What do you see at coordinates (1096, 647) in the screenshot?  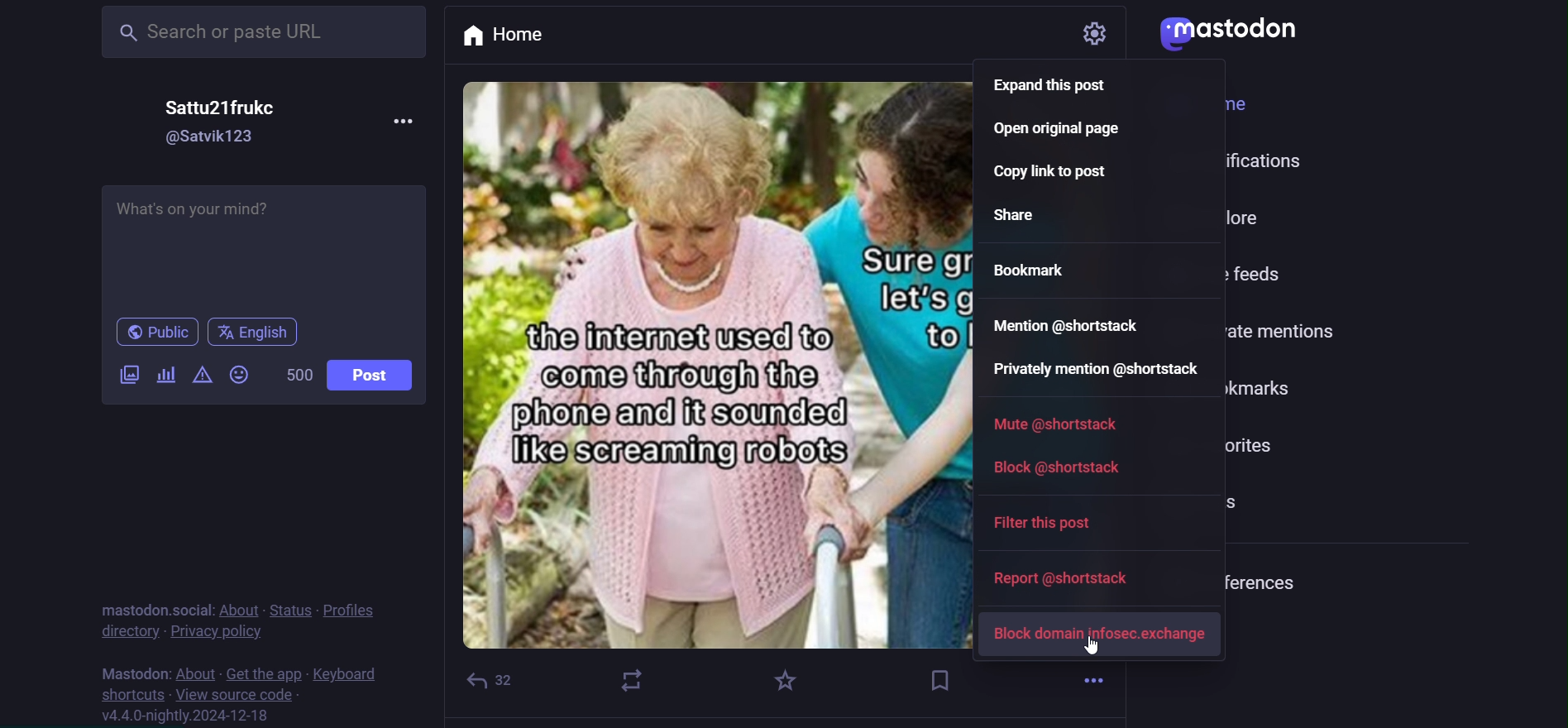 I see `cursor` at bounding box center [1096, 647].